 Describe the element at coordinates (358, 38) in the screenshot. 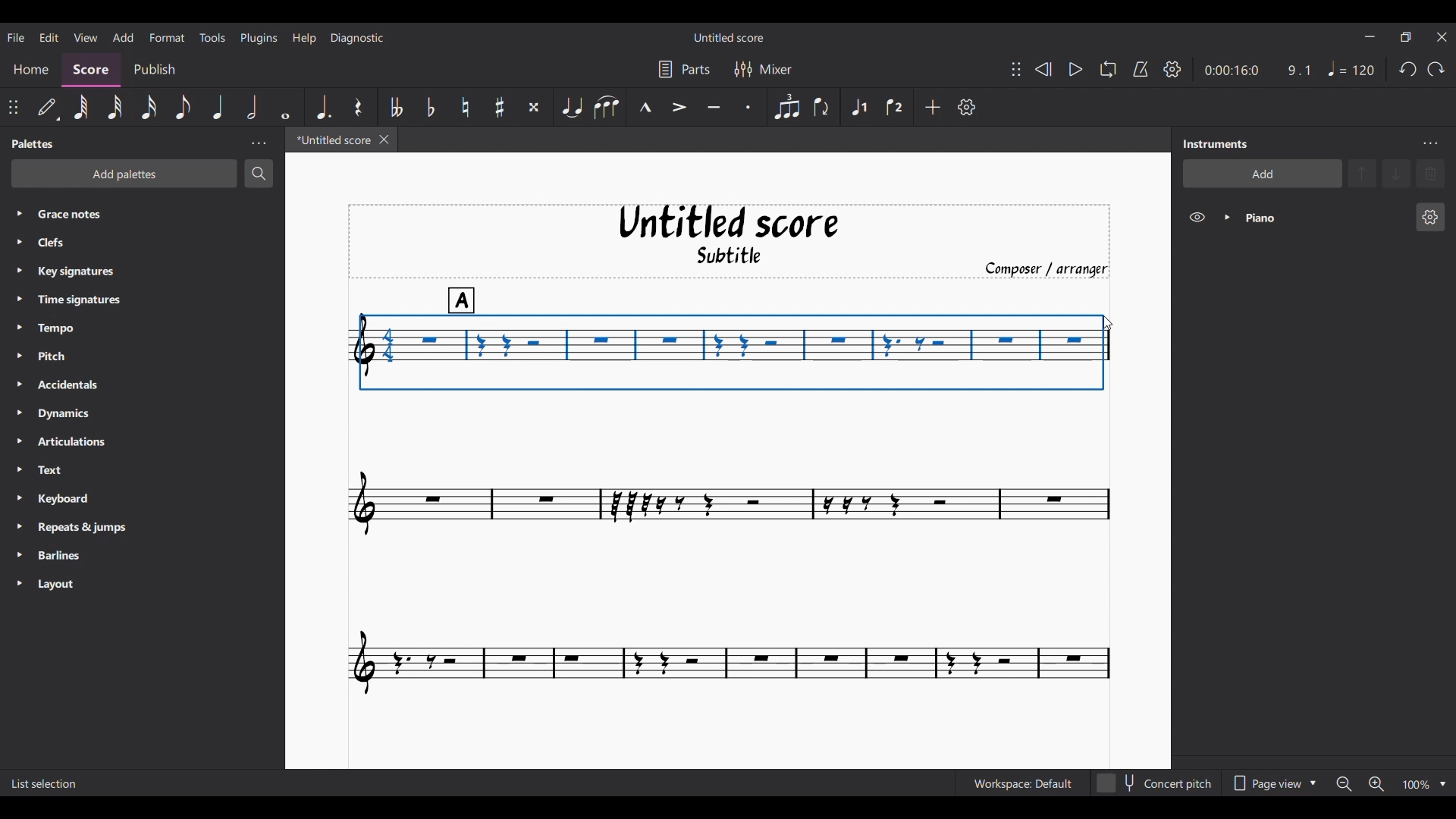

I see `Diagnostic menu` at that location.